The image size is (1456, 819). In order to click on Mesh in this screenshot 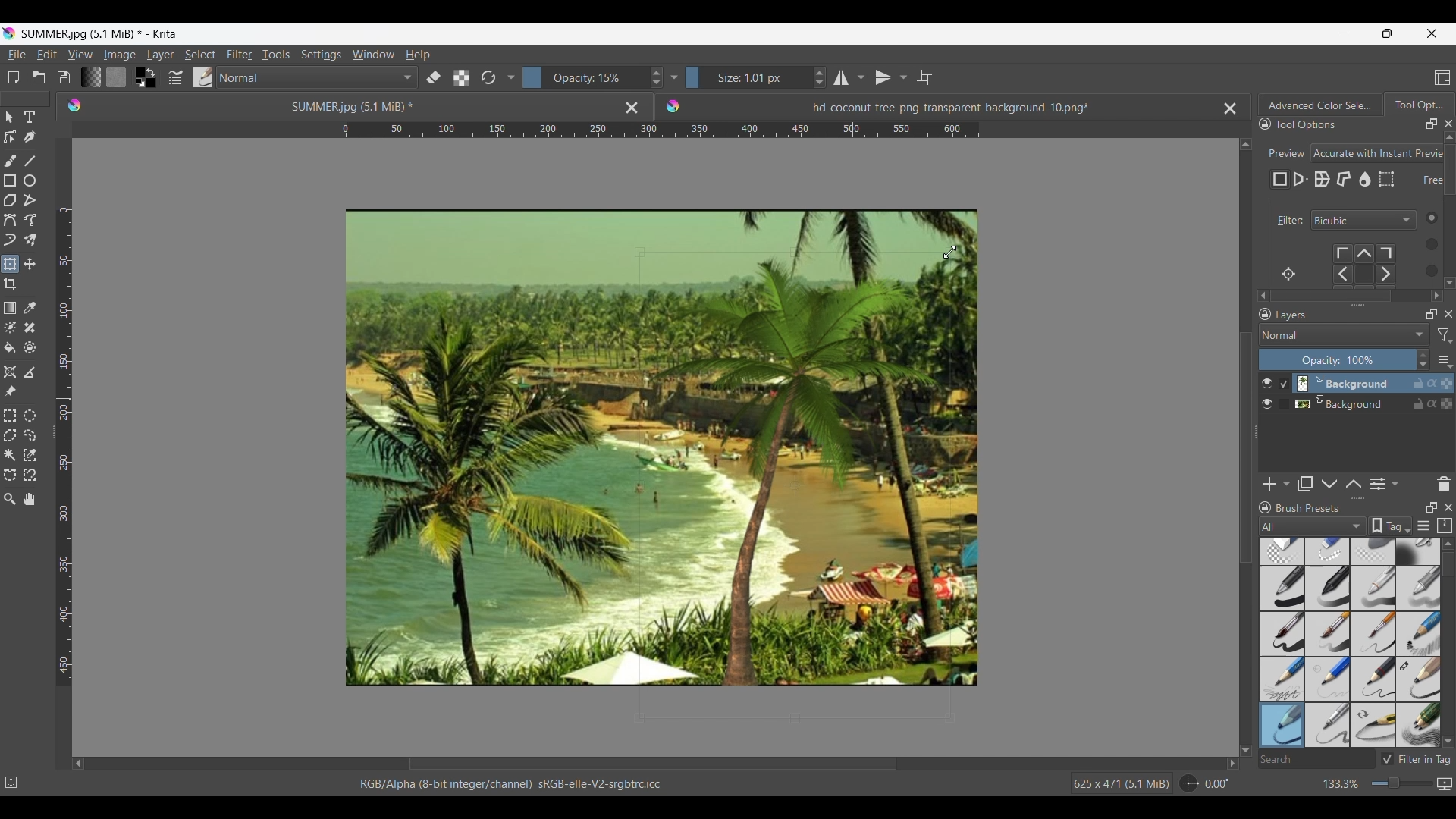, I will do `click(1386, 179)`.